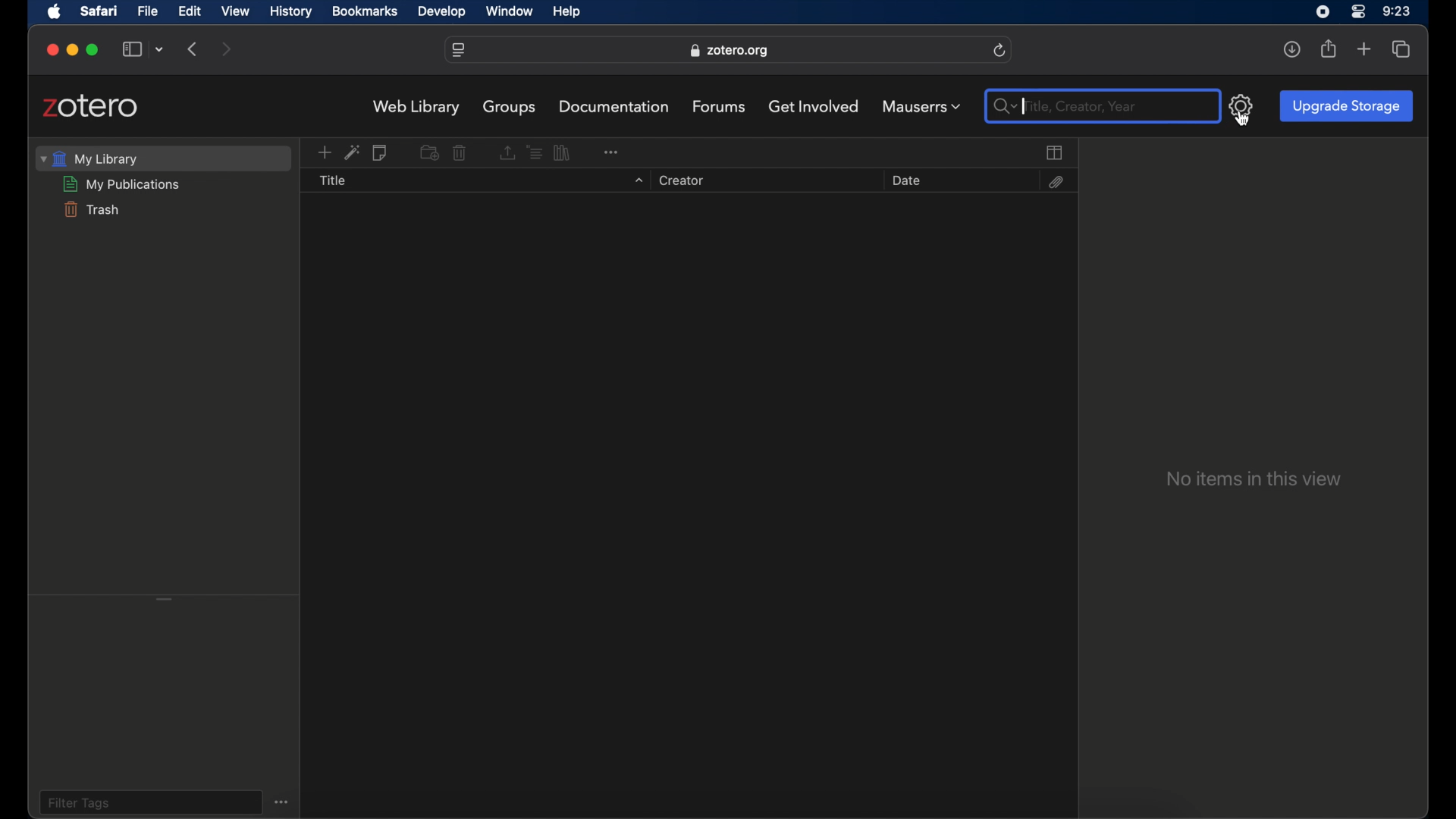 This screenshot has width=1456, height=819. Describe the element at coordinates (1291, 49) in the screenshot. I see `downloads` at that location.